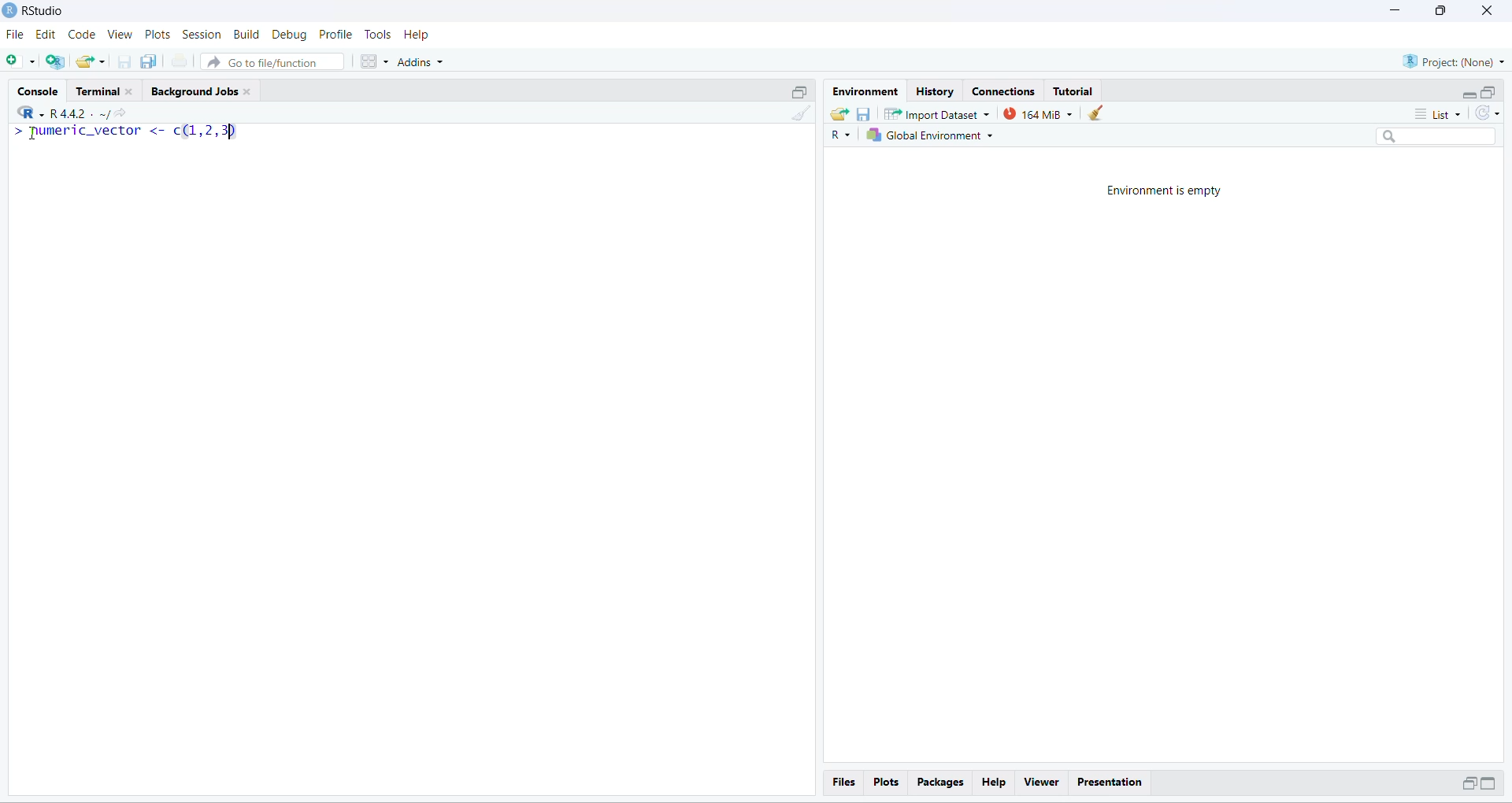 This screenshot has height=803, width=1512. I want to click on File, so click(16, 35).